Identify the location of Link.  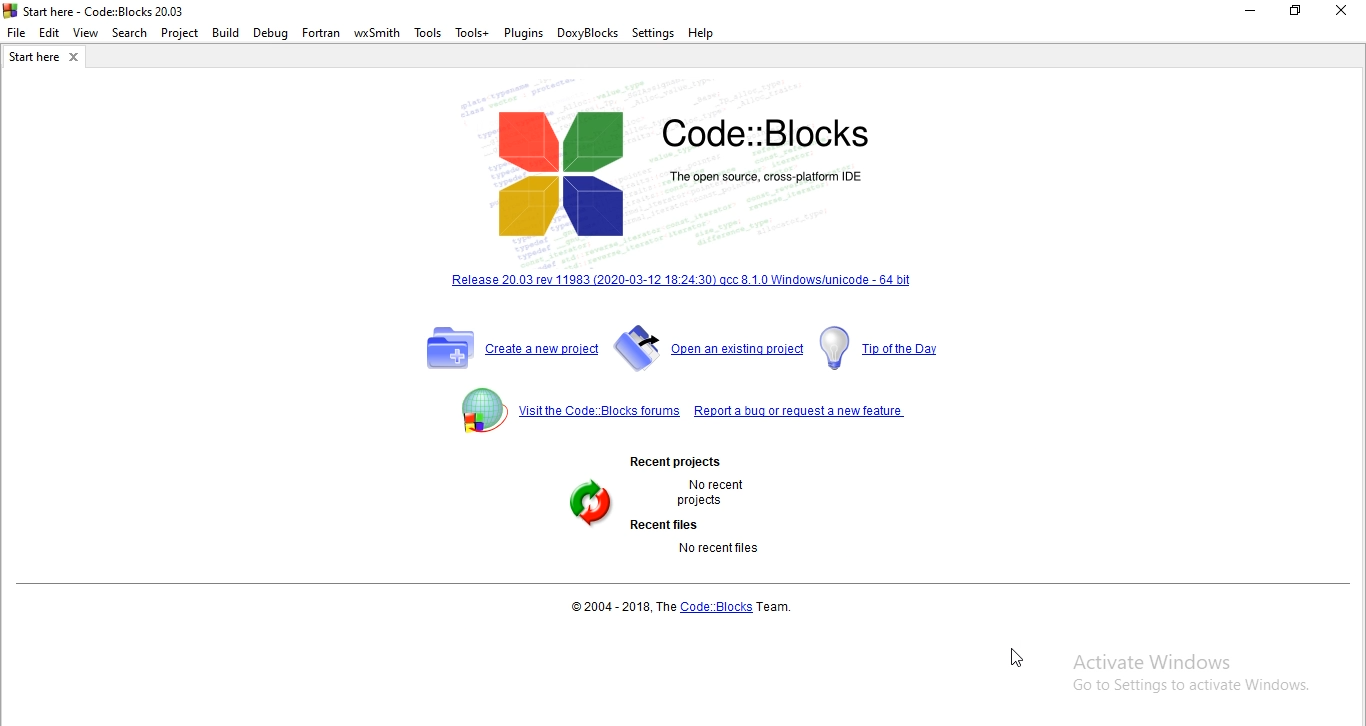
(679, 280).